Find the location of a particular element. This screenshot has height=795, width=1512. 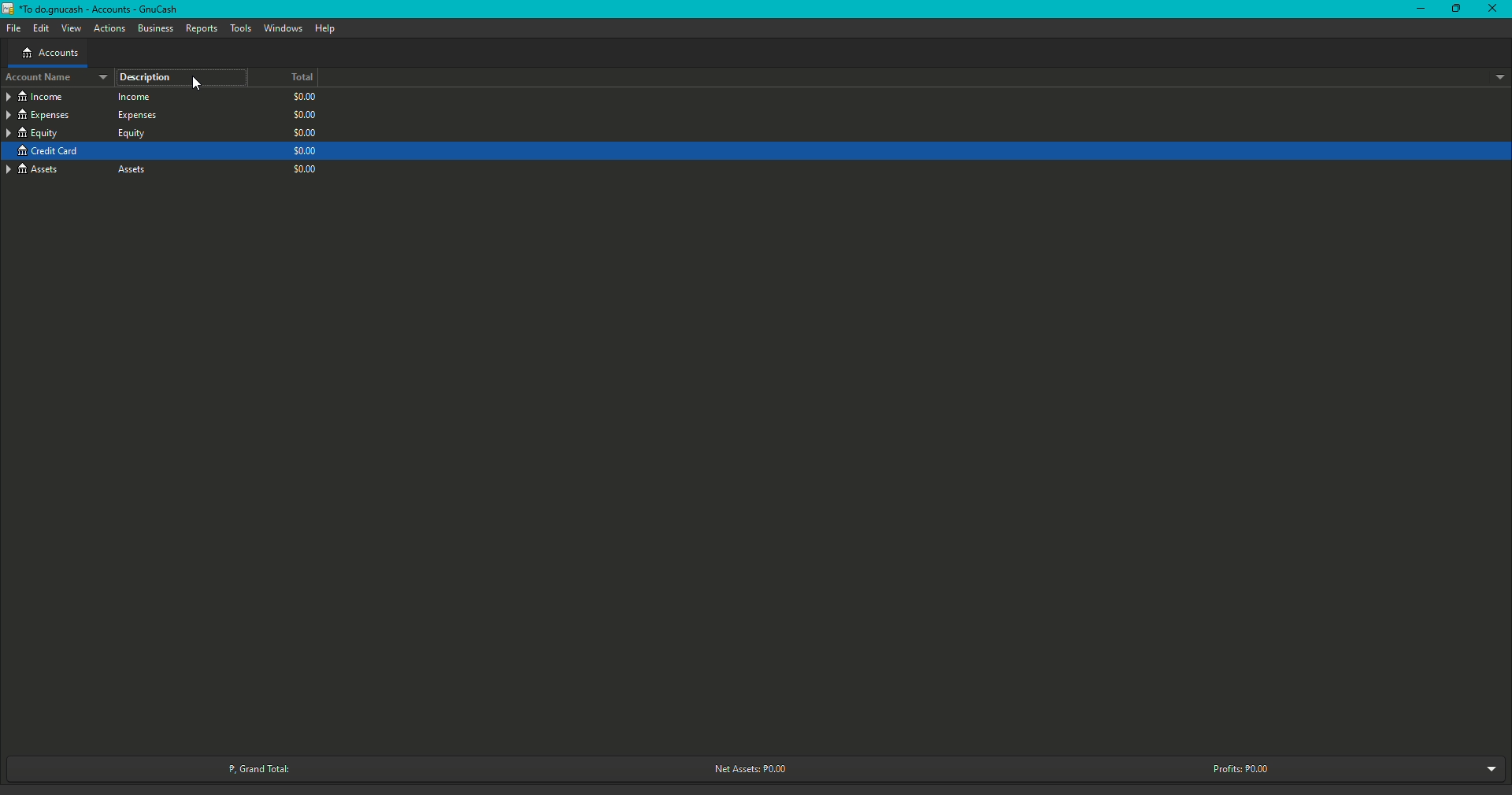

Description is located at coordinates (147, 77).